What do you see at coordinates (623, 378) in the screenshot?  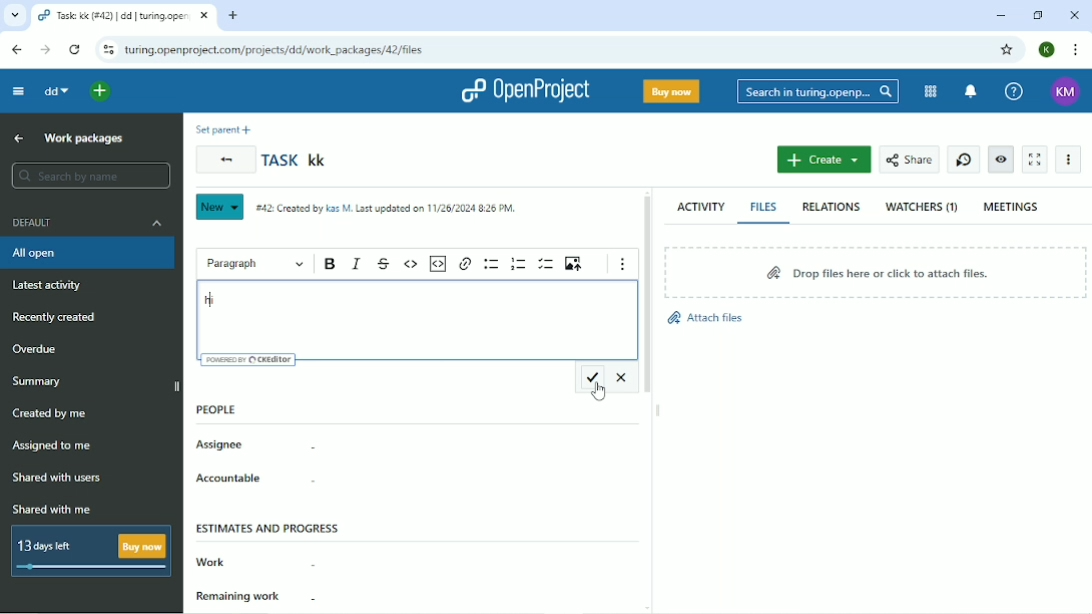 I see `Cancel` at bounding box center [623, 378].